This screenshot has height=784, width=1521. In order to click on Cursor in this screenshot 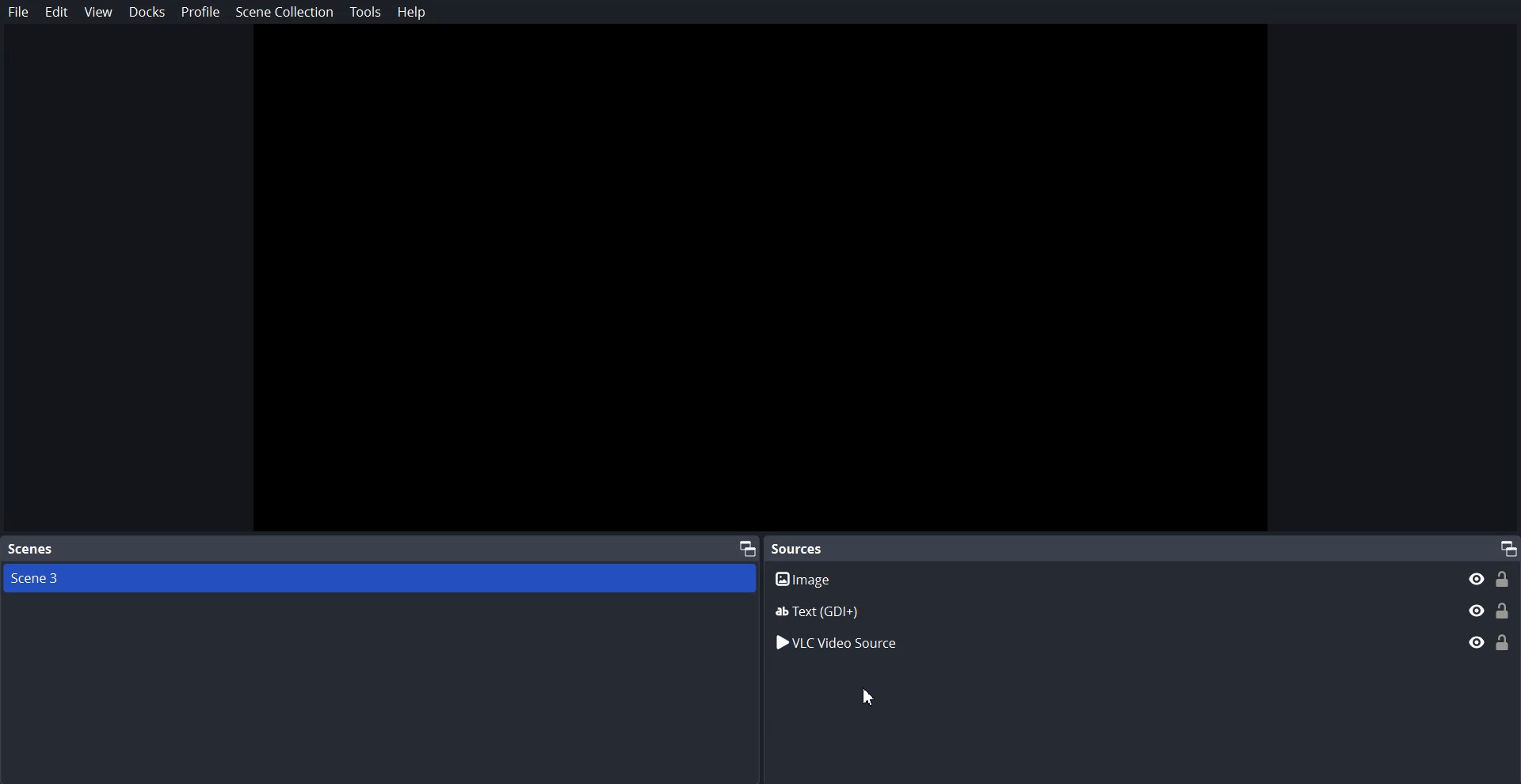, I will do `click(867, 692)`.